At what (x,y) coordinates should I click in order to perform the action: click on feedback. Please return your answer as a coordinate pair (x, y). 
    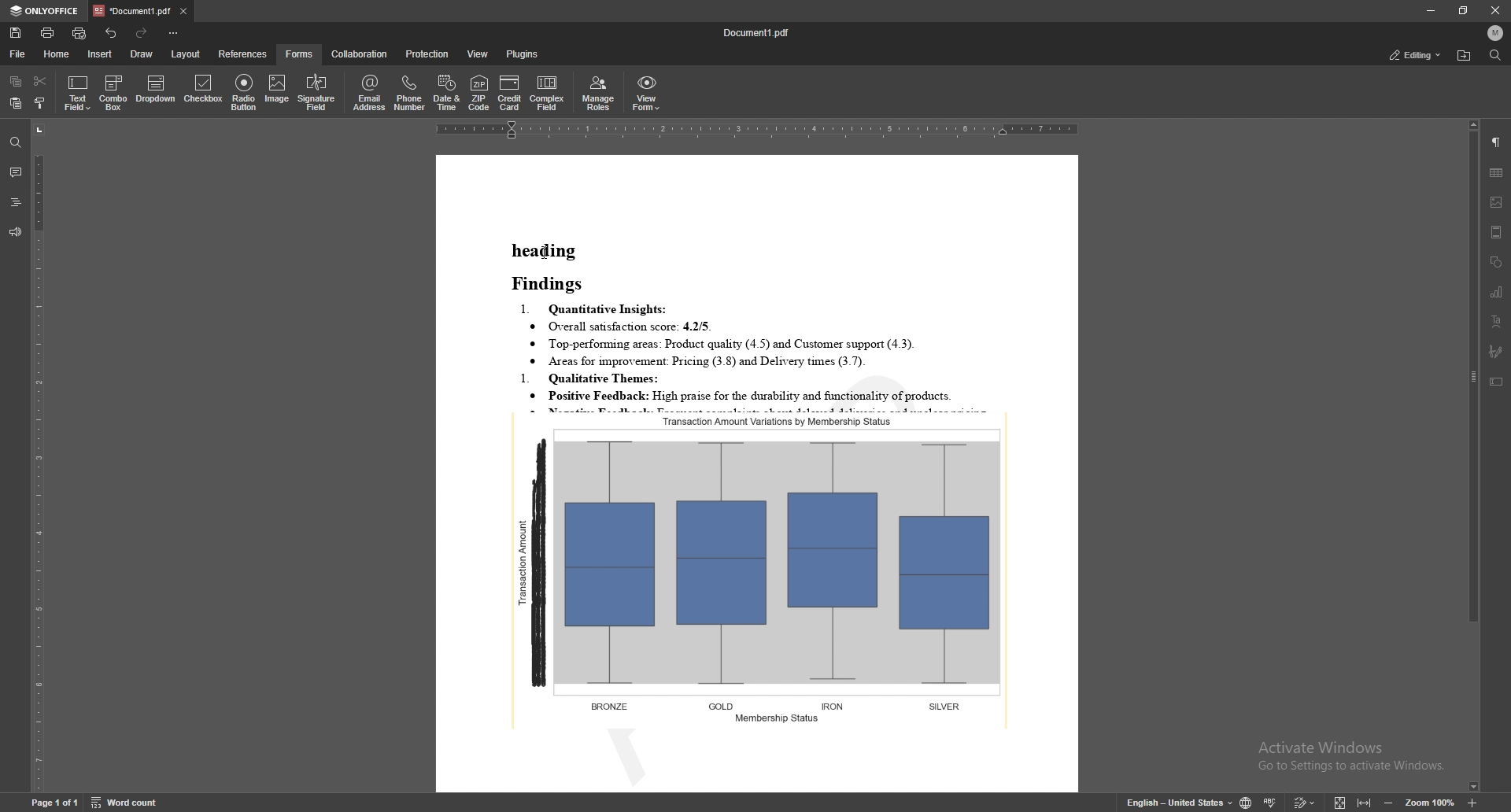
    Looking at the image, I should click on (13, 233).